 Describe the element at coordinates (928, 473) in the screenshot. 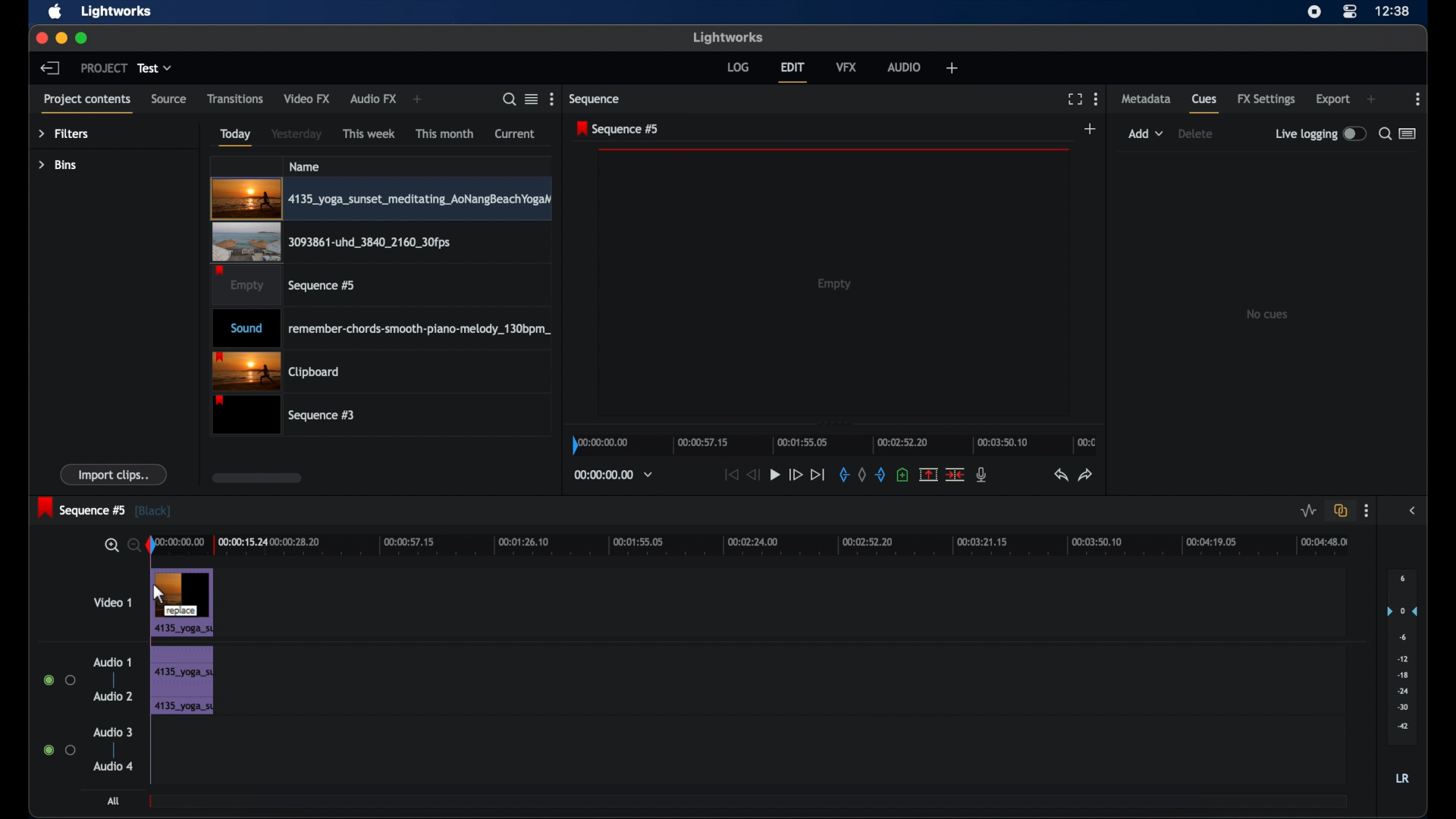

I see `` at that location.